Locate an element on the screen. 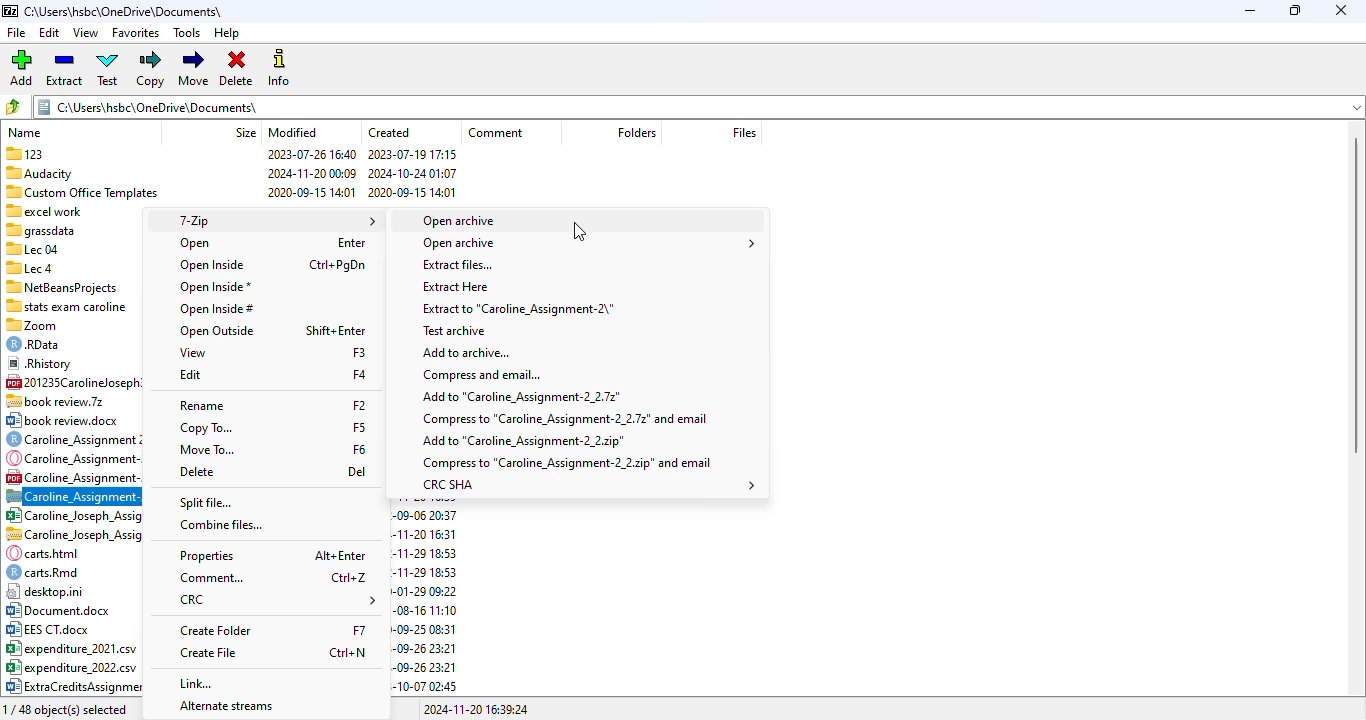  browse folders is located at coordinates (13, 107).